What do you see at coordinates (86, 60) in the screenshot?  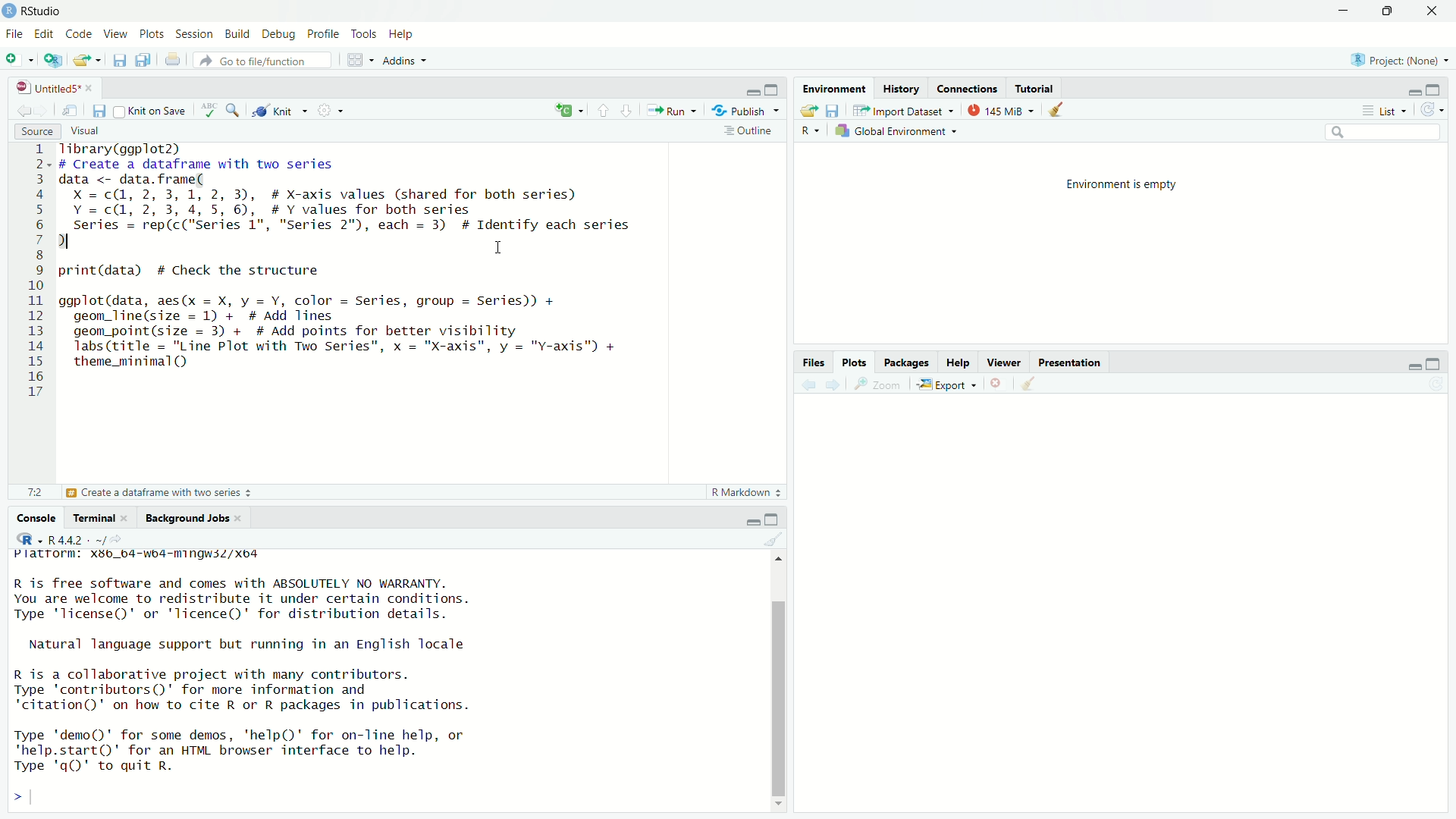 I see `Open an existing file` at bounding box center [86, 60].